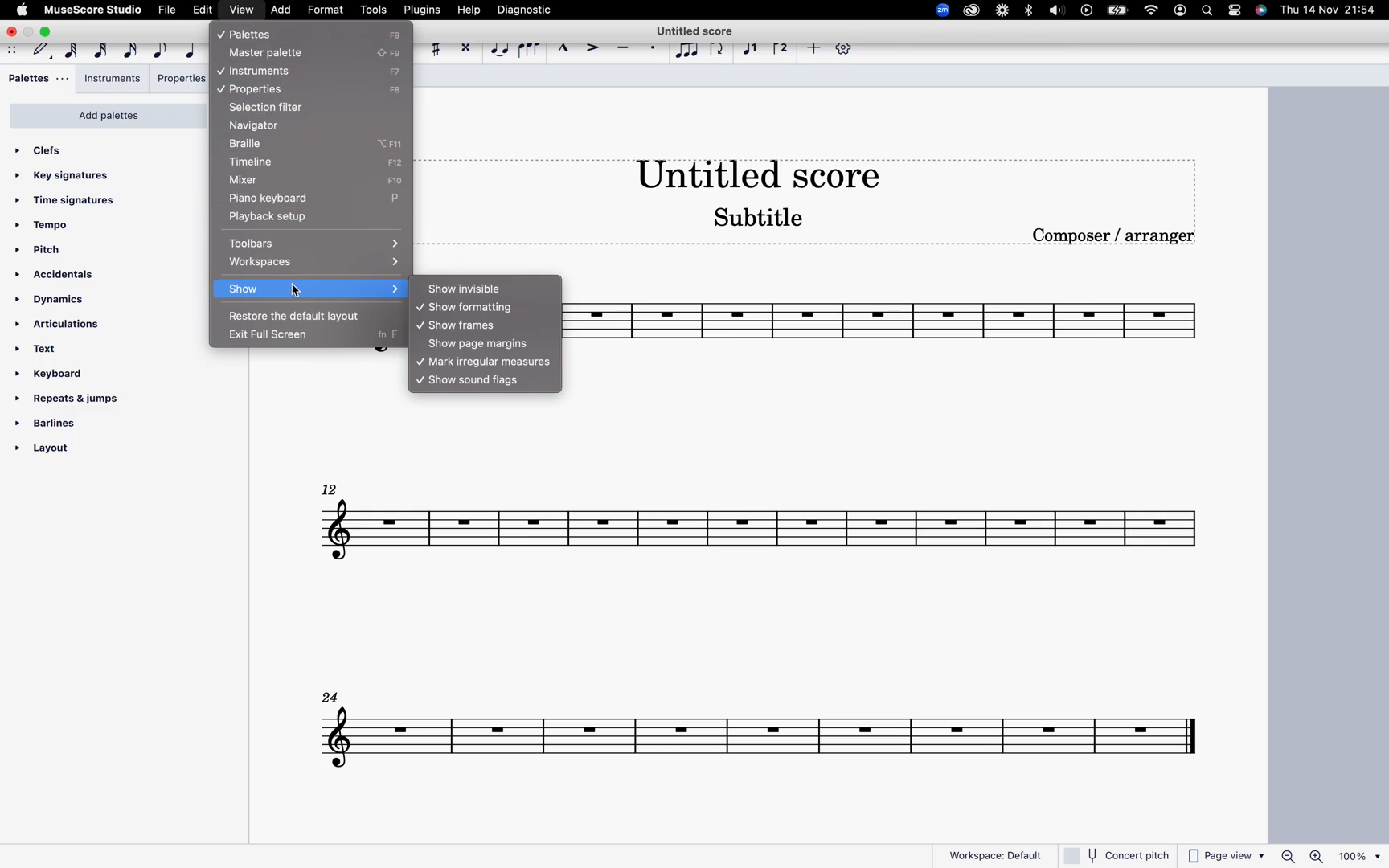 Image resolution: width=1389 pixels, height=868 pixels. What do you see at coordinates (432, 48) in the screenshot?
I see `toggle sharp` at bounding box center [432, 48].